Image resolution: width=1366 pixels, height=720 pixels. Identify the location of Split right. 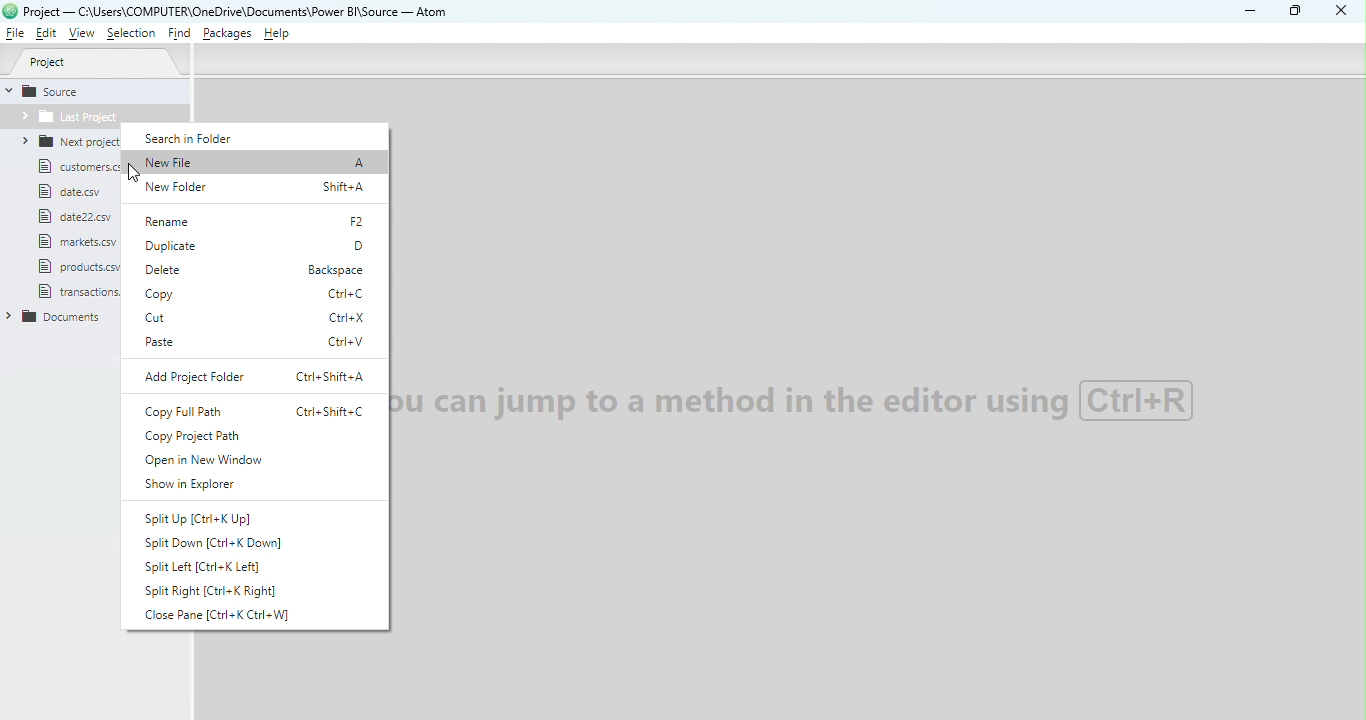
(211, 592).